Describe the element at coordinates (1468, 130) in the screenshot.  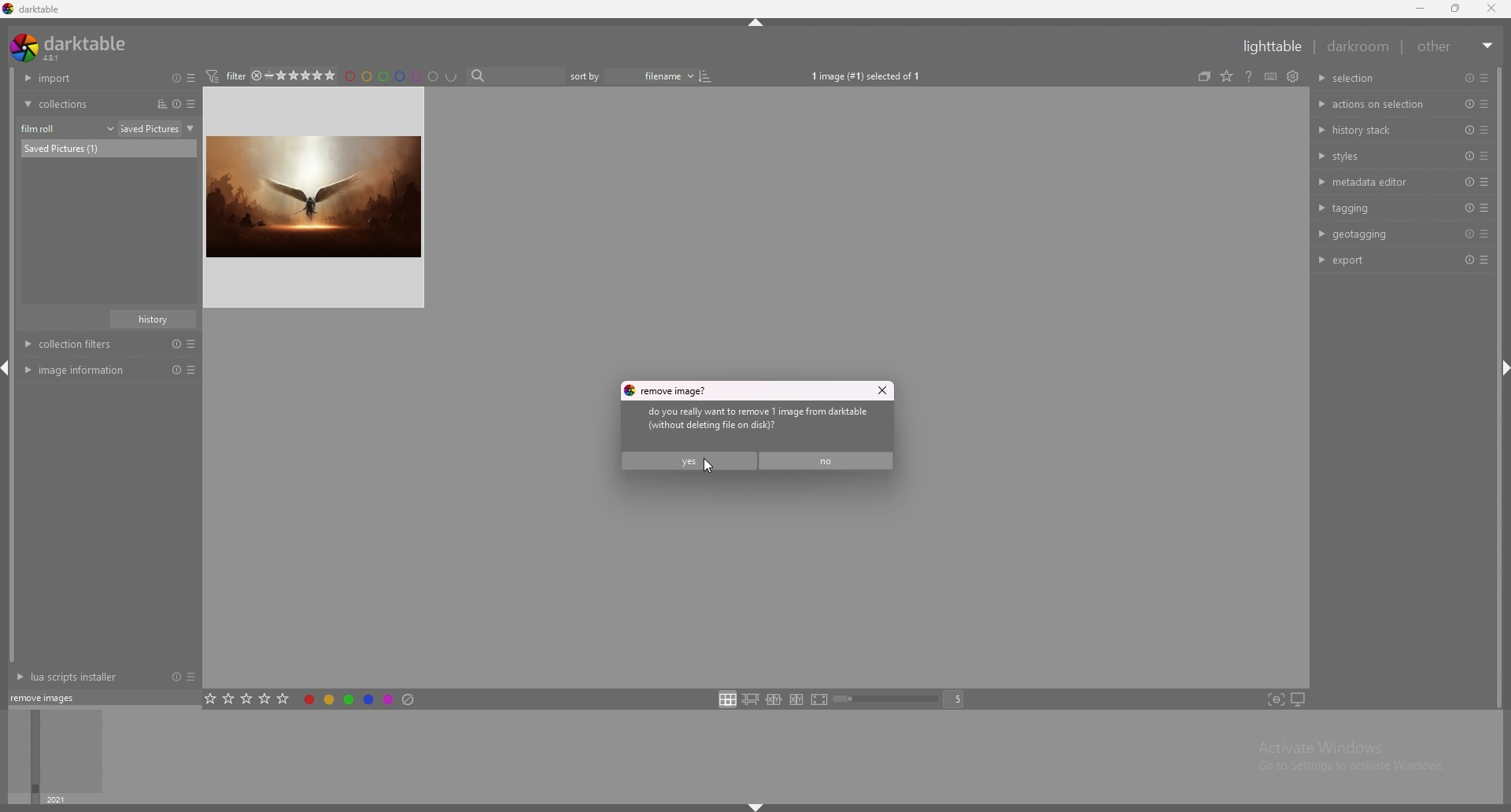
I see `preset` at that location.